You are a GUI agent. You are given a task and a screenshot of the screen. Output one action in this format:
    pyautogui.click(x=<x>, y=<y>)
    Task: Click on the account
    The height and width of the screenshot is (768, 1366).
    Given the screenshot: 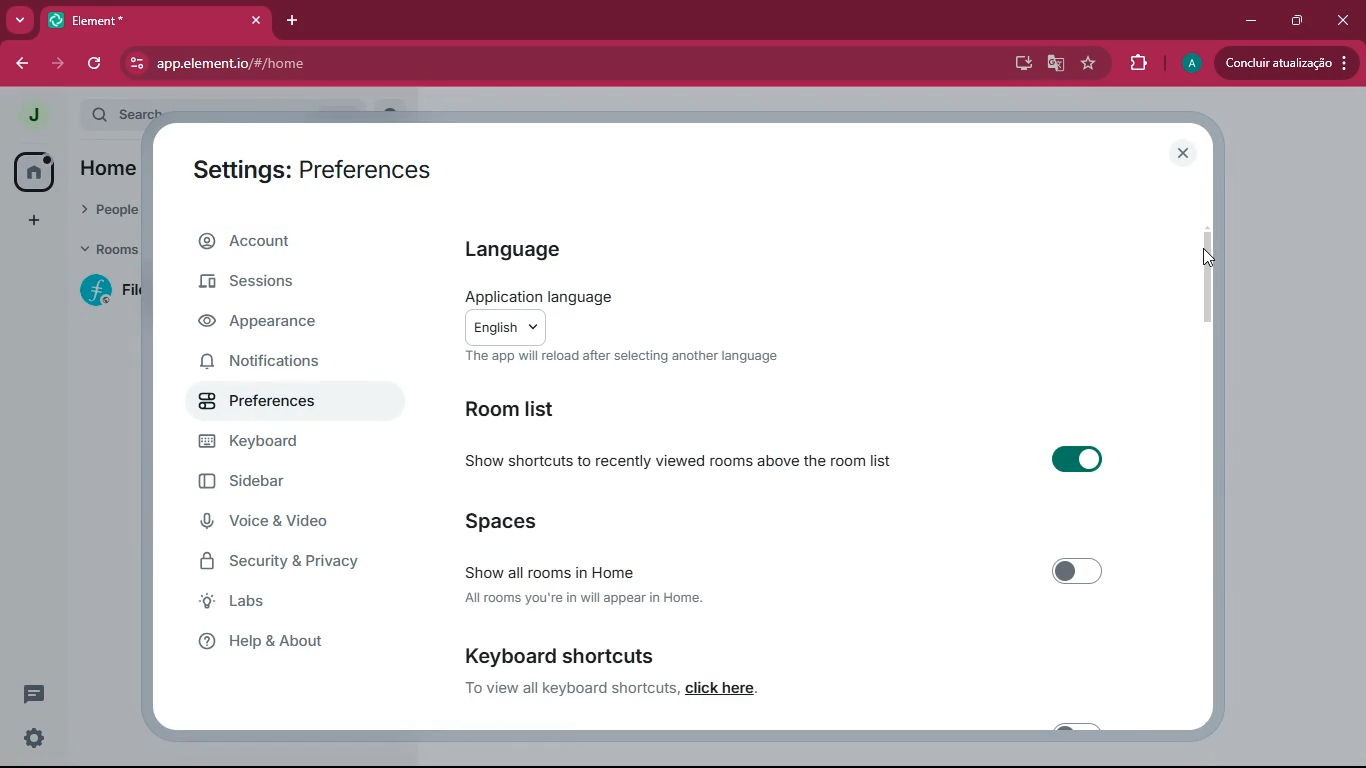 What is the action you would take?
    pyautogui.click(x=289, y=245)
    